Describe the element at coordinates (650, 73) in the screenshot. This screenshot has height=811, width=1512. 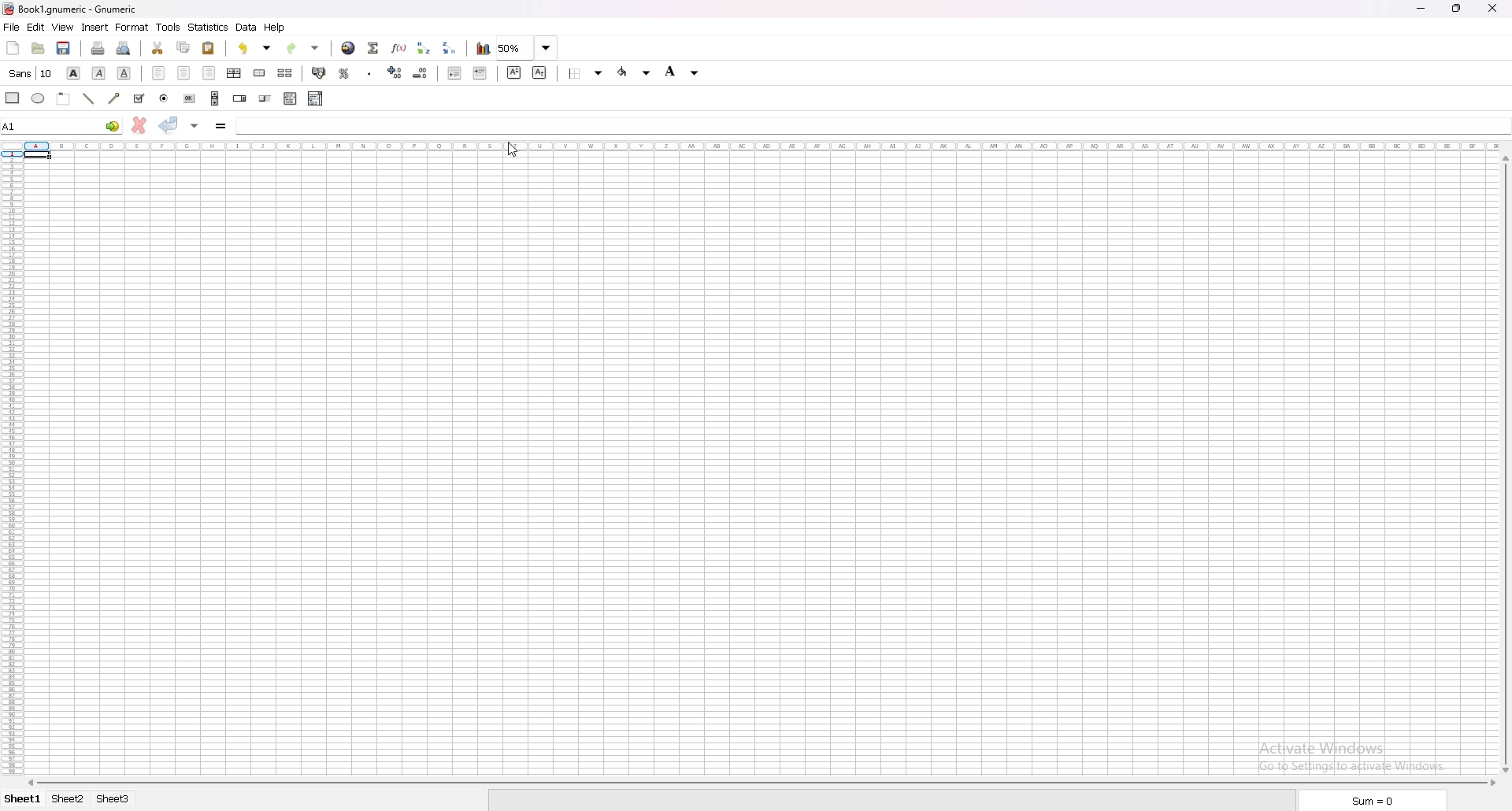
I see `Drop down` at that location.